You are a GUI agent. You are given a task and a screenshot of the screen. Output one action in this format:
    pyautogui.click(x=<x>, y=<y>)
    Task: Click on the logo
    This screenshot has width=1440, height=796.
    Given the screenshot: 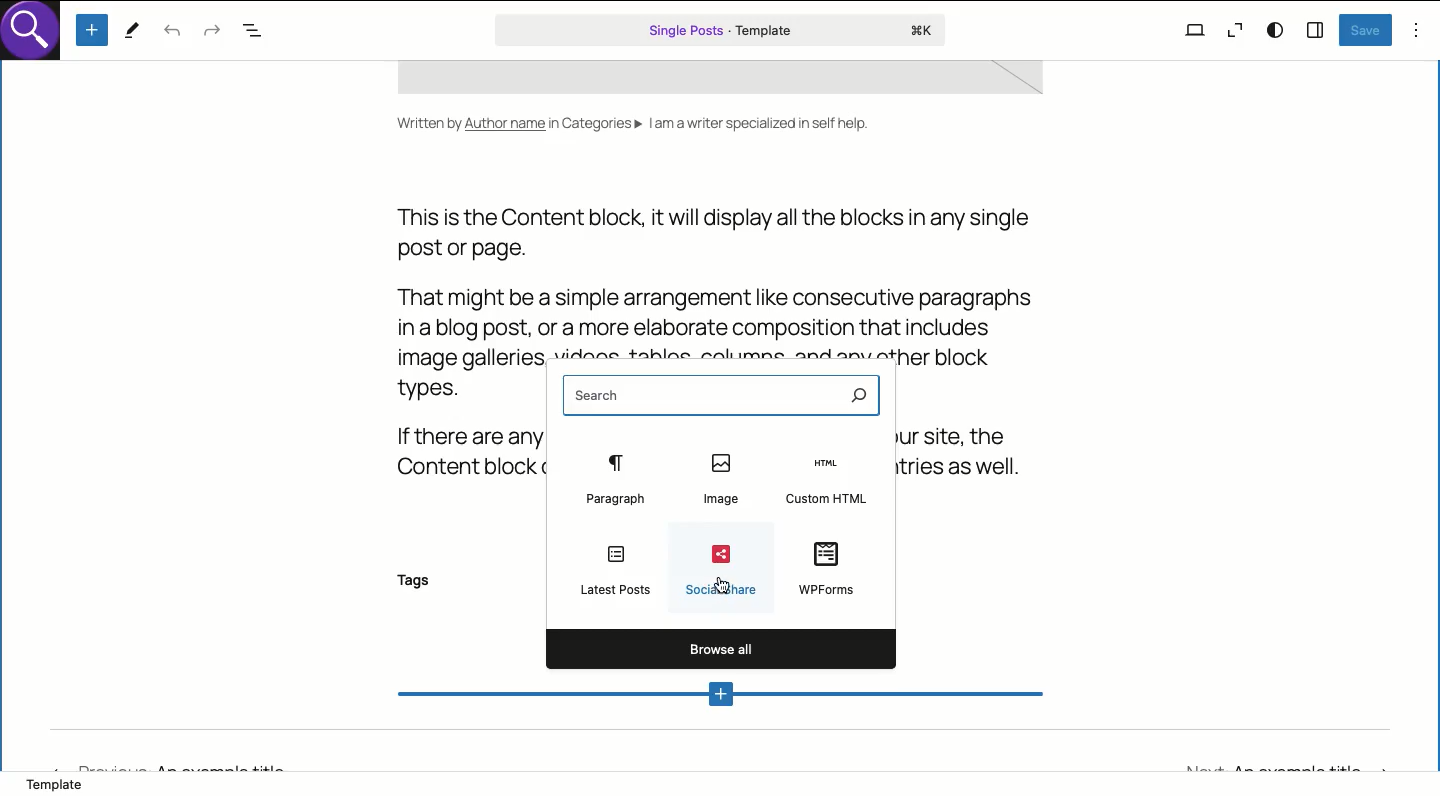 What is the action you would take?
    pyautogui.click(x=36, y=36)
    